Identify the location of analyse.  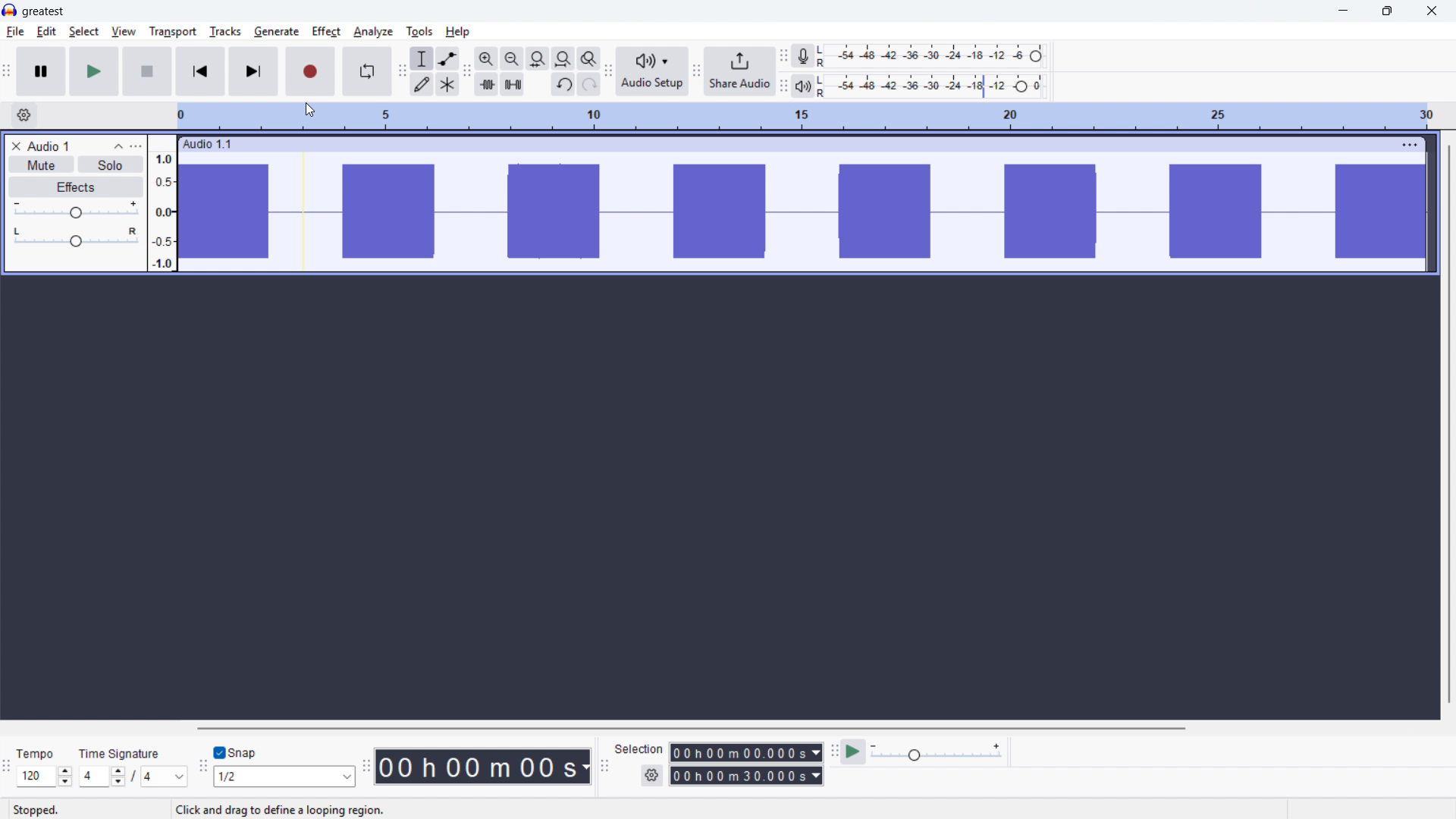
(374, 32).